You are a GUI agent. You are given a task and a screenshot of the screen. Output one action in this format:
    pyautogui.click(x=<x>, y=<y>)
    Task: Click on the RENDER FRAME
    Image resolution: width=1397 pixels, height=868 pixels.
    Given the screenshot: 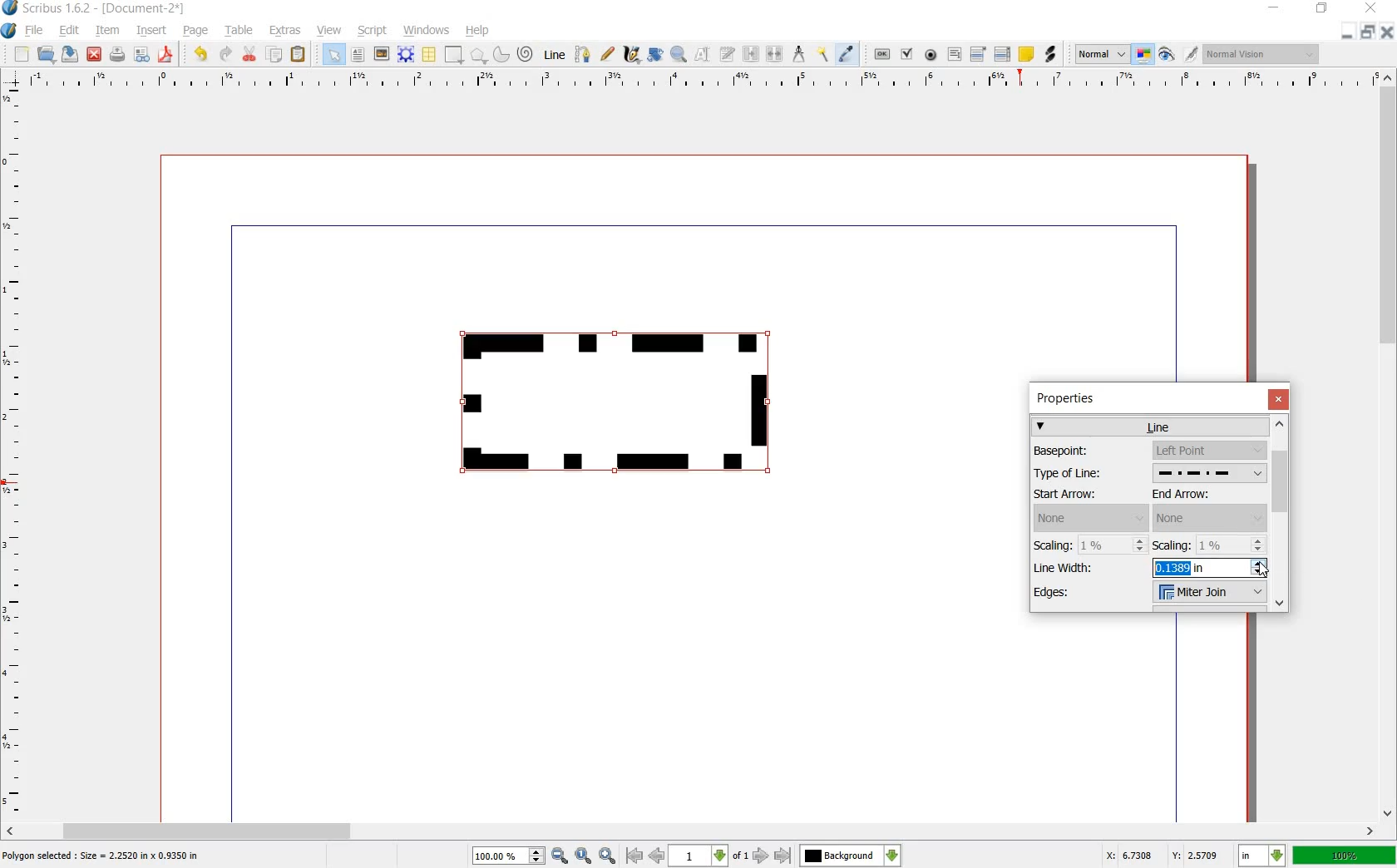 What is the action you would take?
    pyautogui.click(x=405, y=55)
    